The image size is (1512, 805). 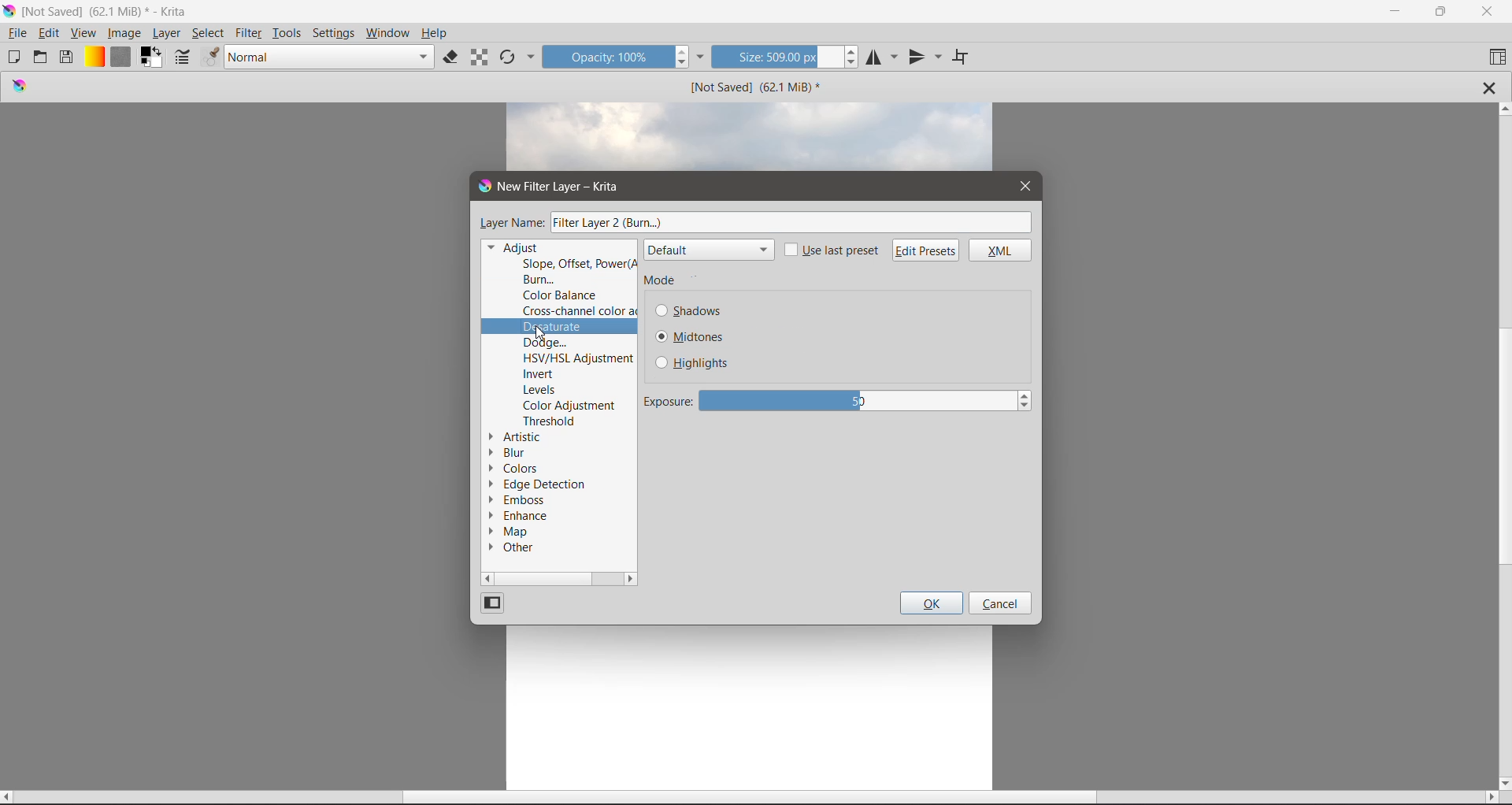 What do you see at coordinates (83, 33) in the screenshot?
I see `View` at bounding box center [83, 33].